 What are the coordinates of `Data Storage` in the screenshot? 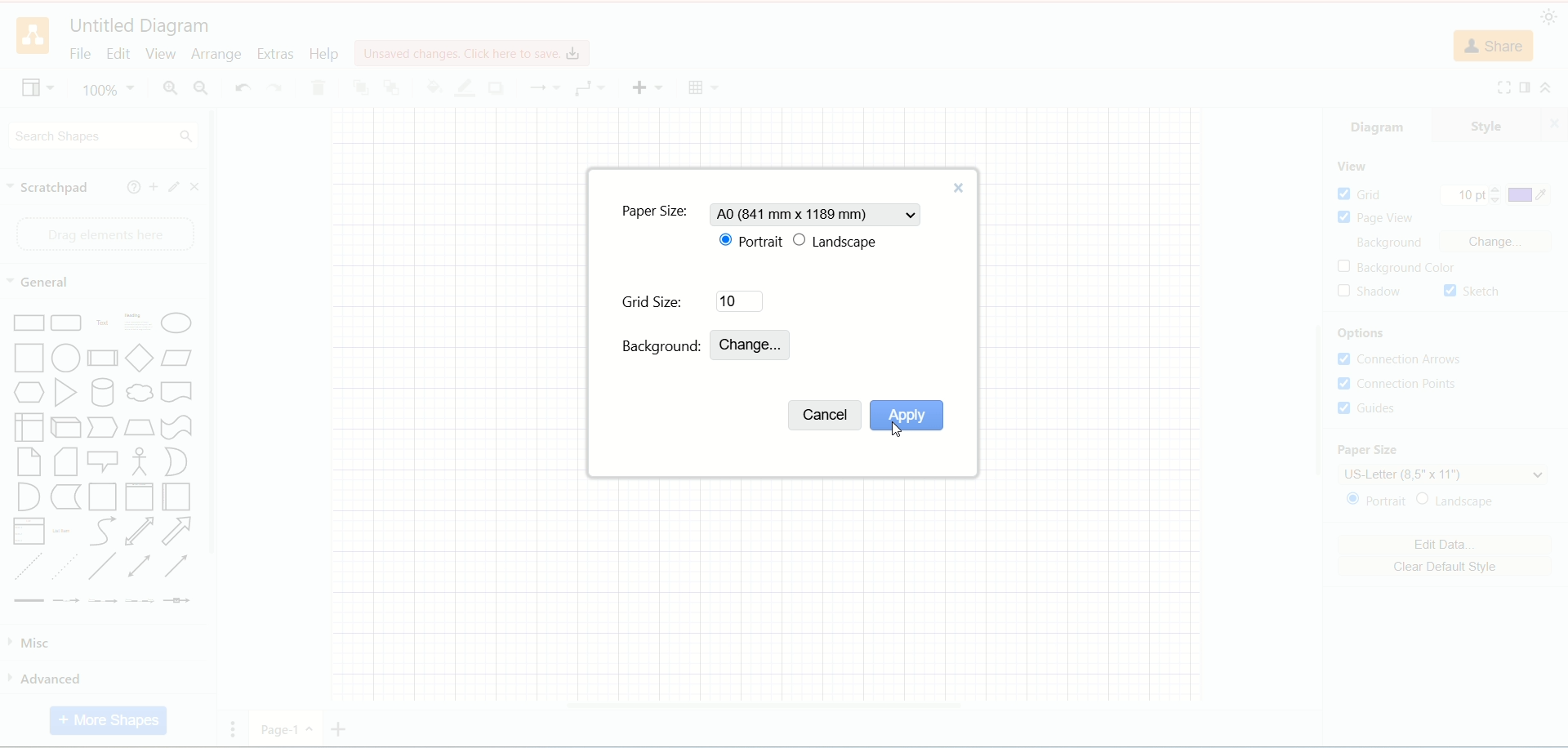 It's located at (65, 498).